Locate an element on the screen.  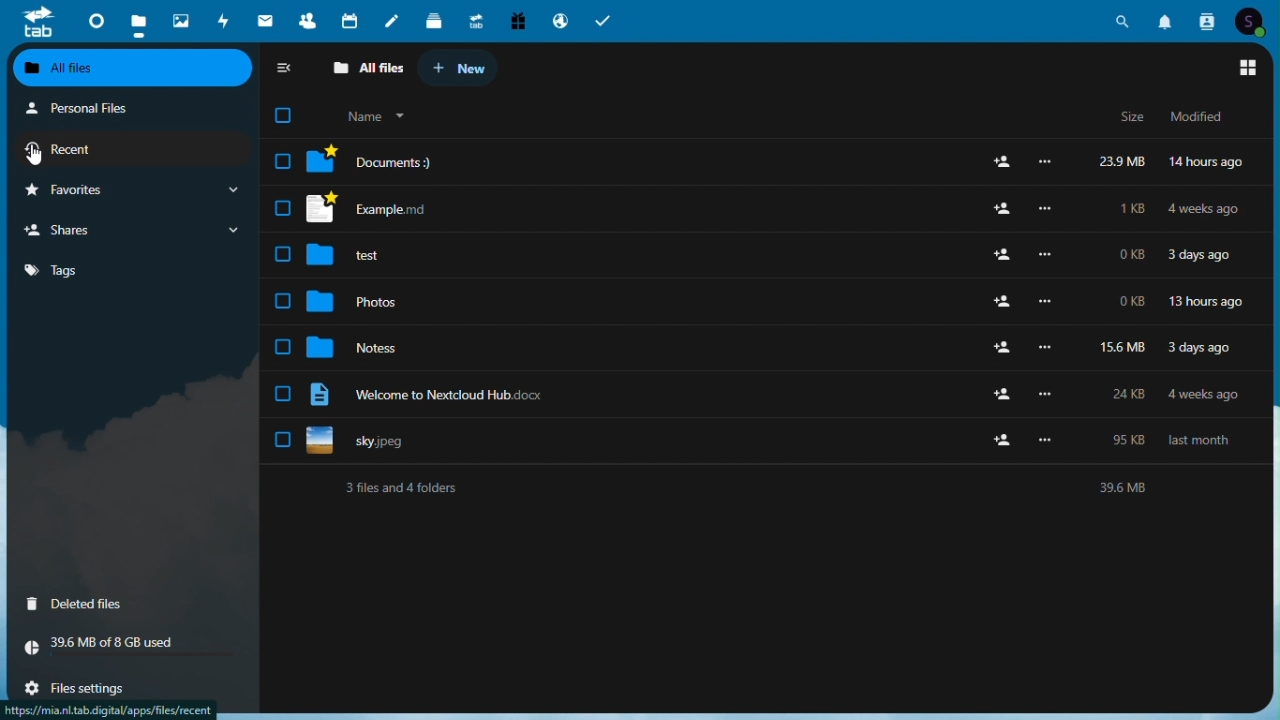
options is located at coordinates (1048, 254).